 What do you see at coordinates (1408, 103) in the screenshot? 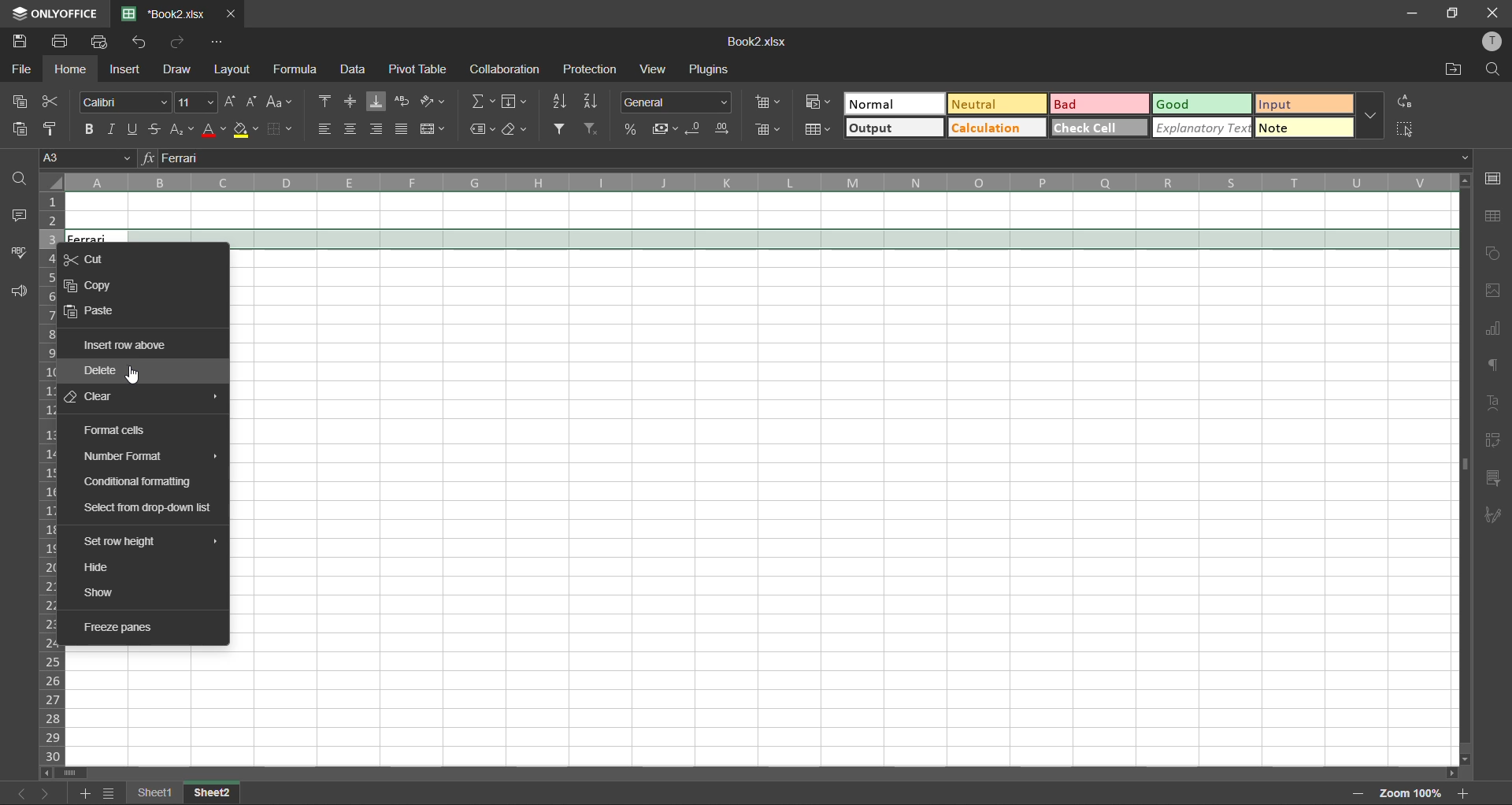
I see `replace` at bounding box center [1408, 103].